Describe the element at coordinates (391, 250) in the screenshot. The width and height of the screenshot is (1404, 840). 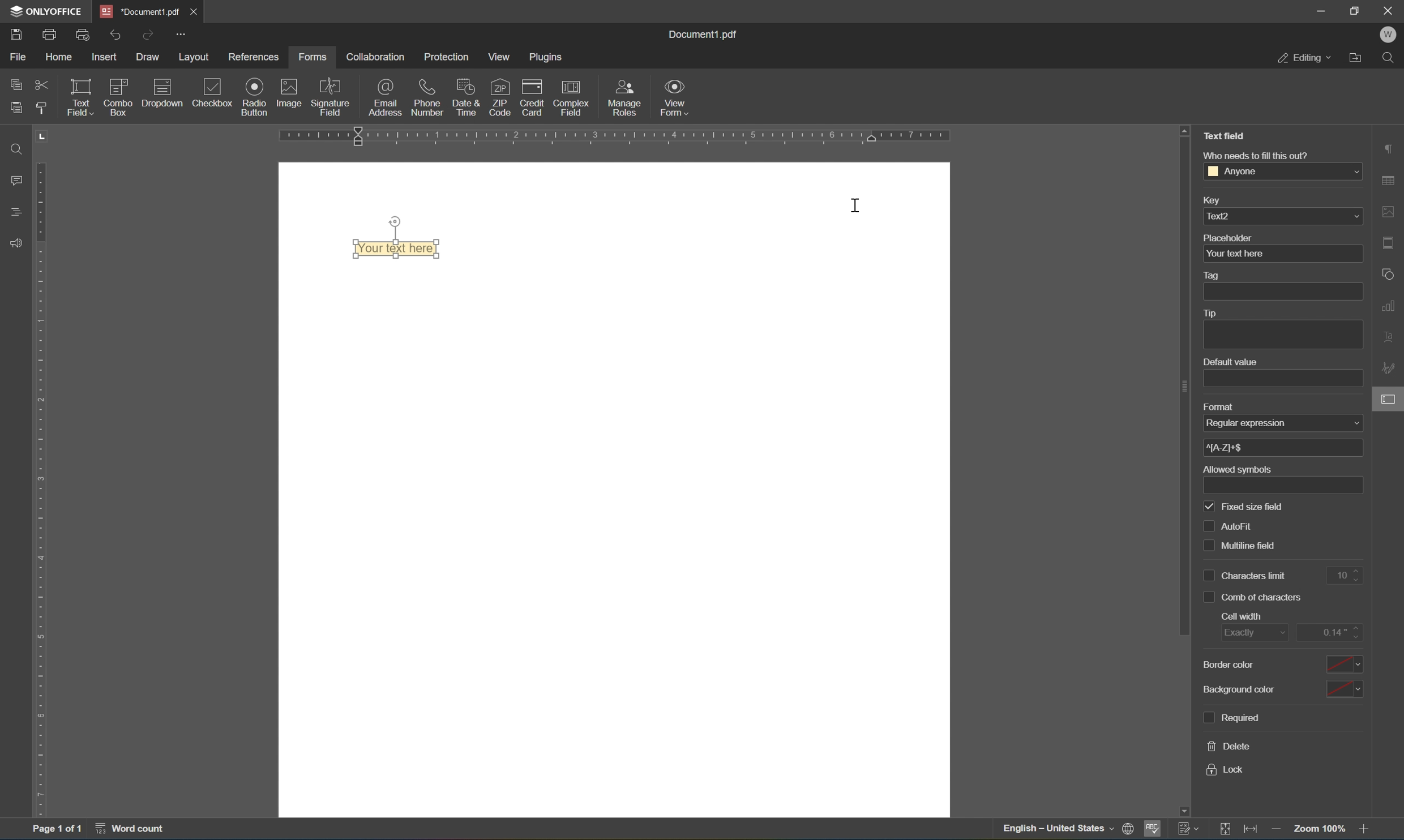
I see `text field` at that location.